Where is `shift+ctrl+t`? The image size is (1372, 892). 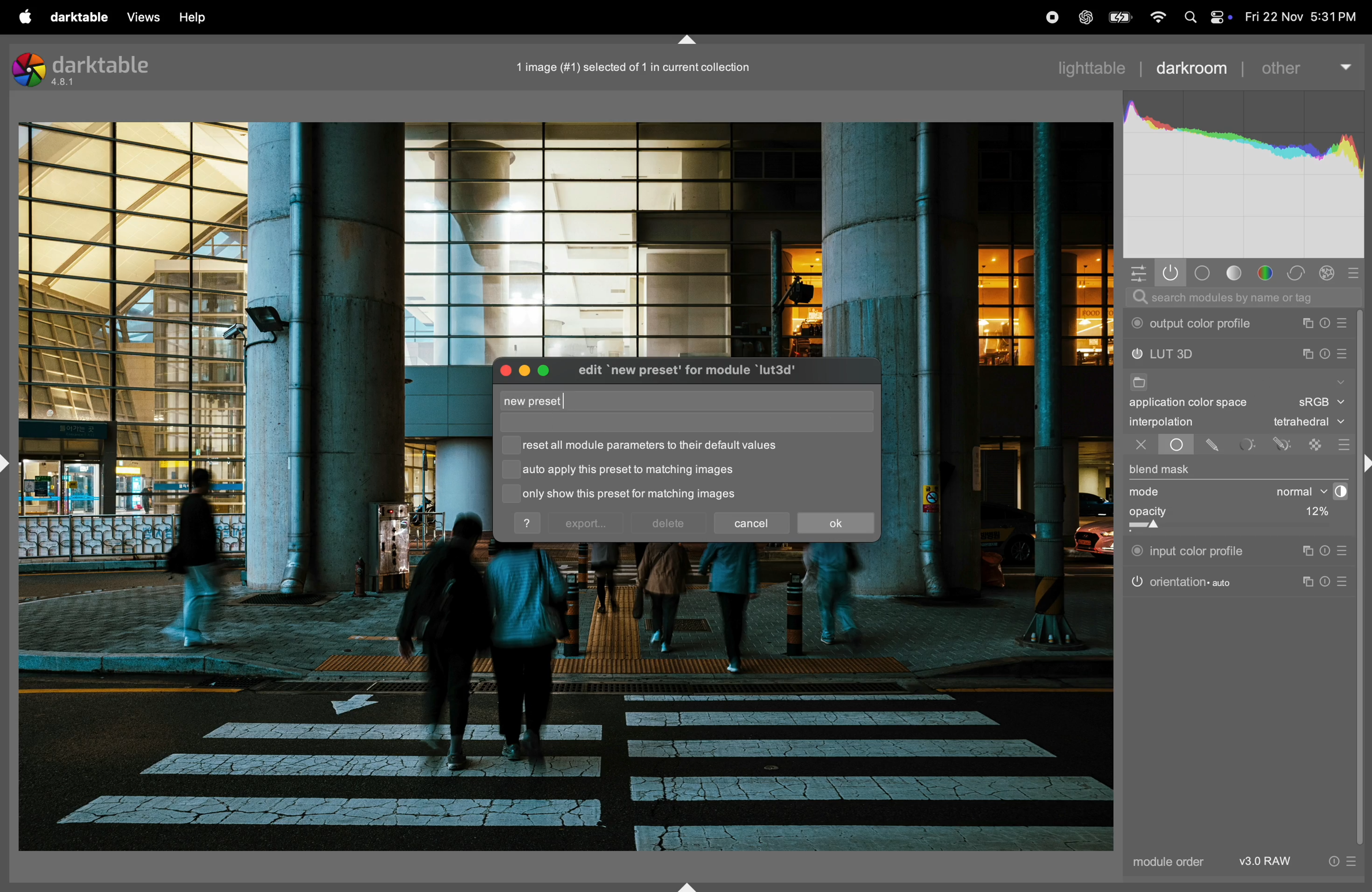
shift+ctrl+t is located at coordinates (685, 40).